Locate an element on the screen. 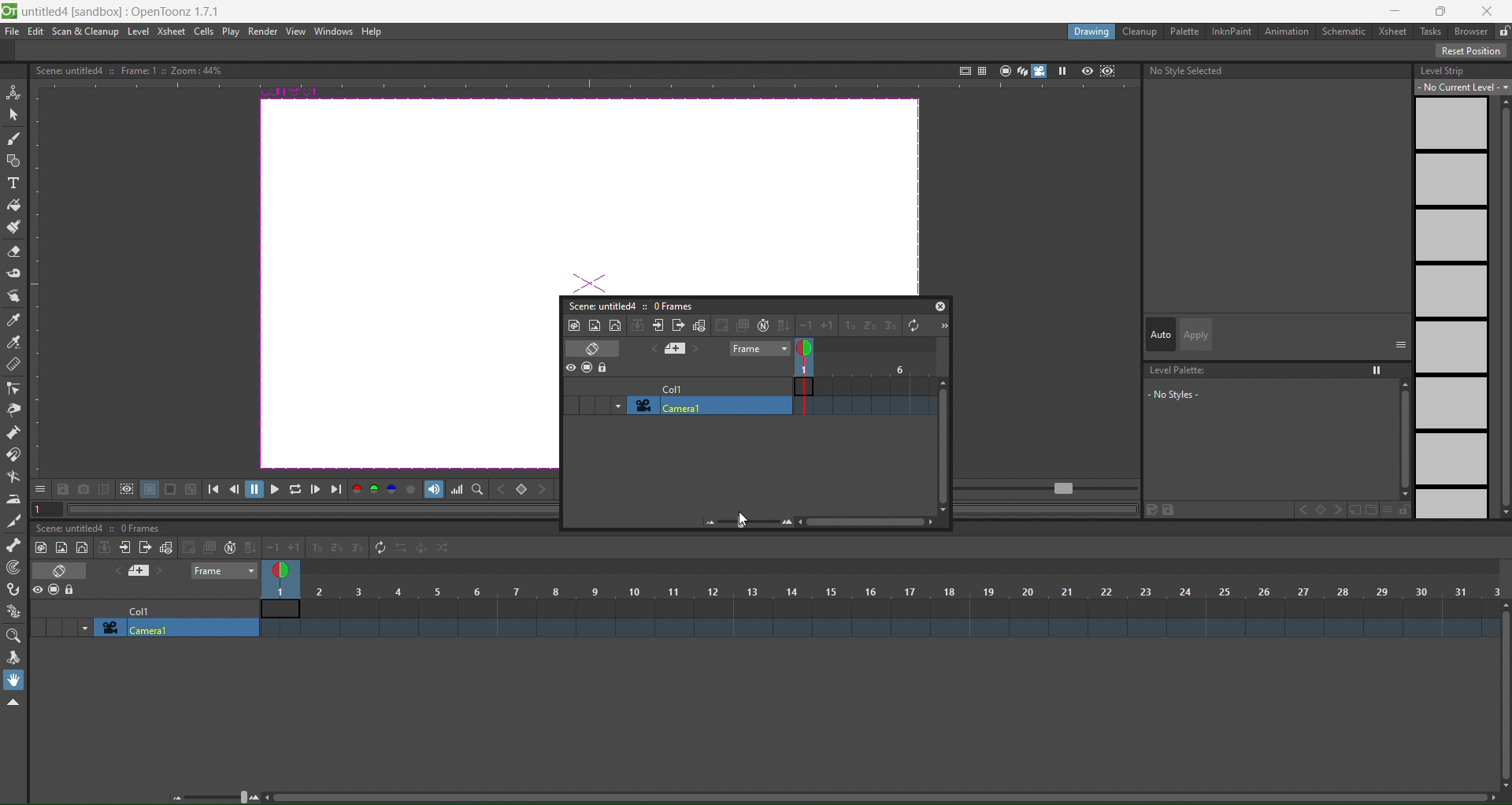 Image resolution: width=1512 pixels, height=805 pixels. cleanup is located at coordinates (1140, 32).